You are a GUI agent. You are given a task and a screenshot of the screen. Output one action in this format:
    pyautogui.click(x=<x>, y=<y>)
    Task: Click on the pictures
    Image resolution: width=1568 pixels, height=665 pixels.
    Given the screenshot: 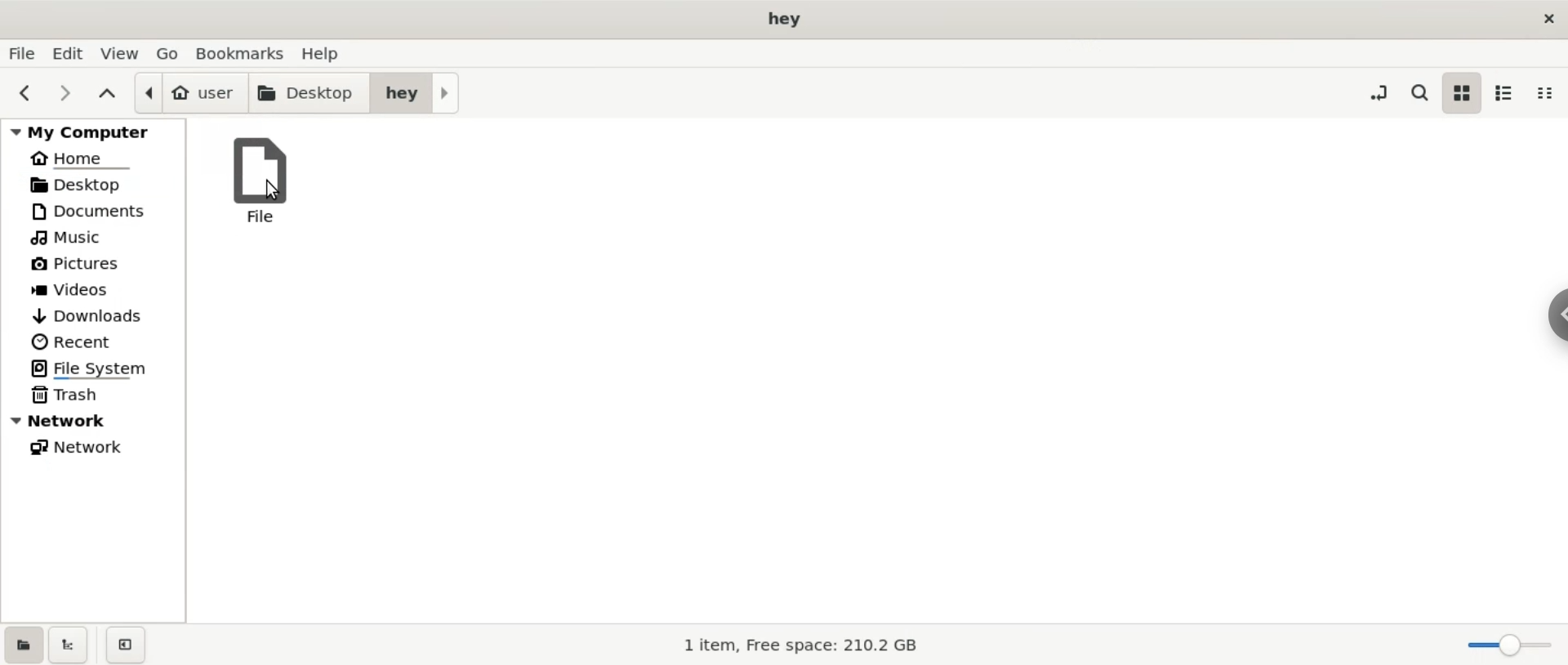 What is the action you would take?
    pyautogui.click(x=100, y=263)
    